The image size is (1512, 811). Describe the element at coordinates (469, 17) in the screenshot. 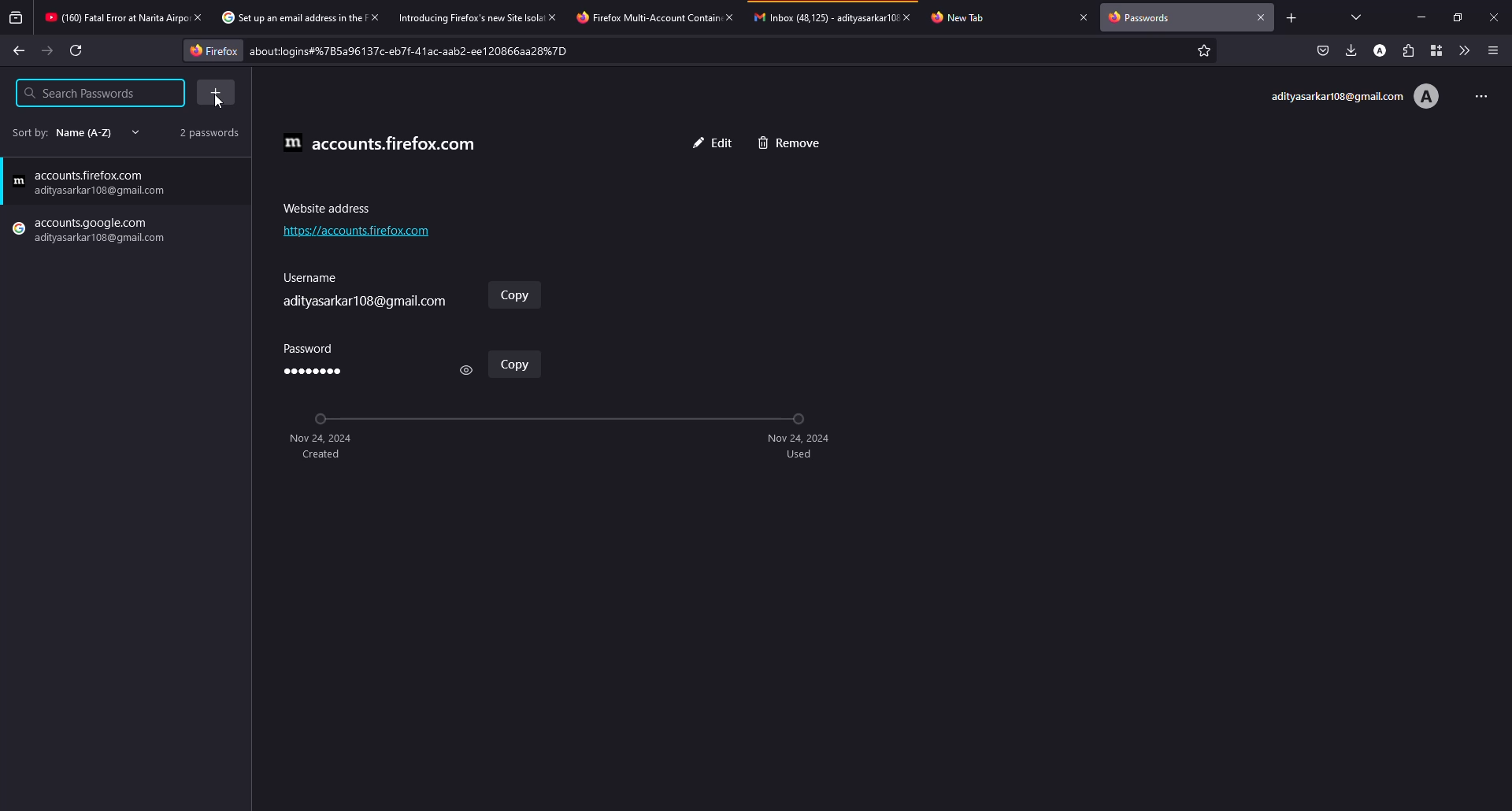

I see `tab` at that location.